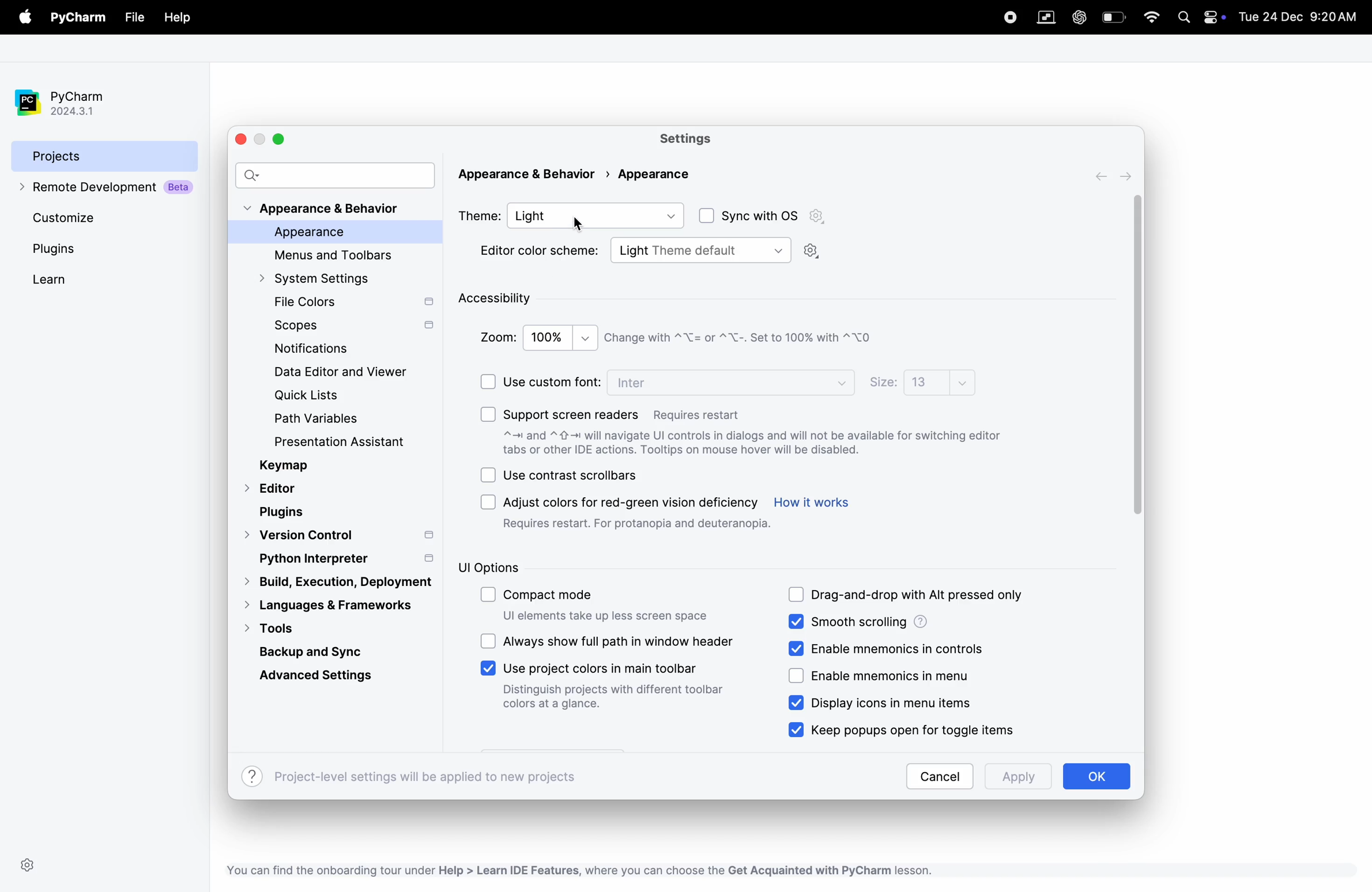 This screenshot has height=892, width=1372. What do you see at coordinates (898, 676) in the screenshot?
I see `enable memonics menu` at bounding box center [898, 676].